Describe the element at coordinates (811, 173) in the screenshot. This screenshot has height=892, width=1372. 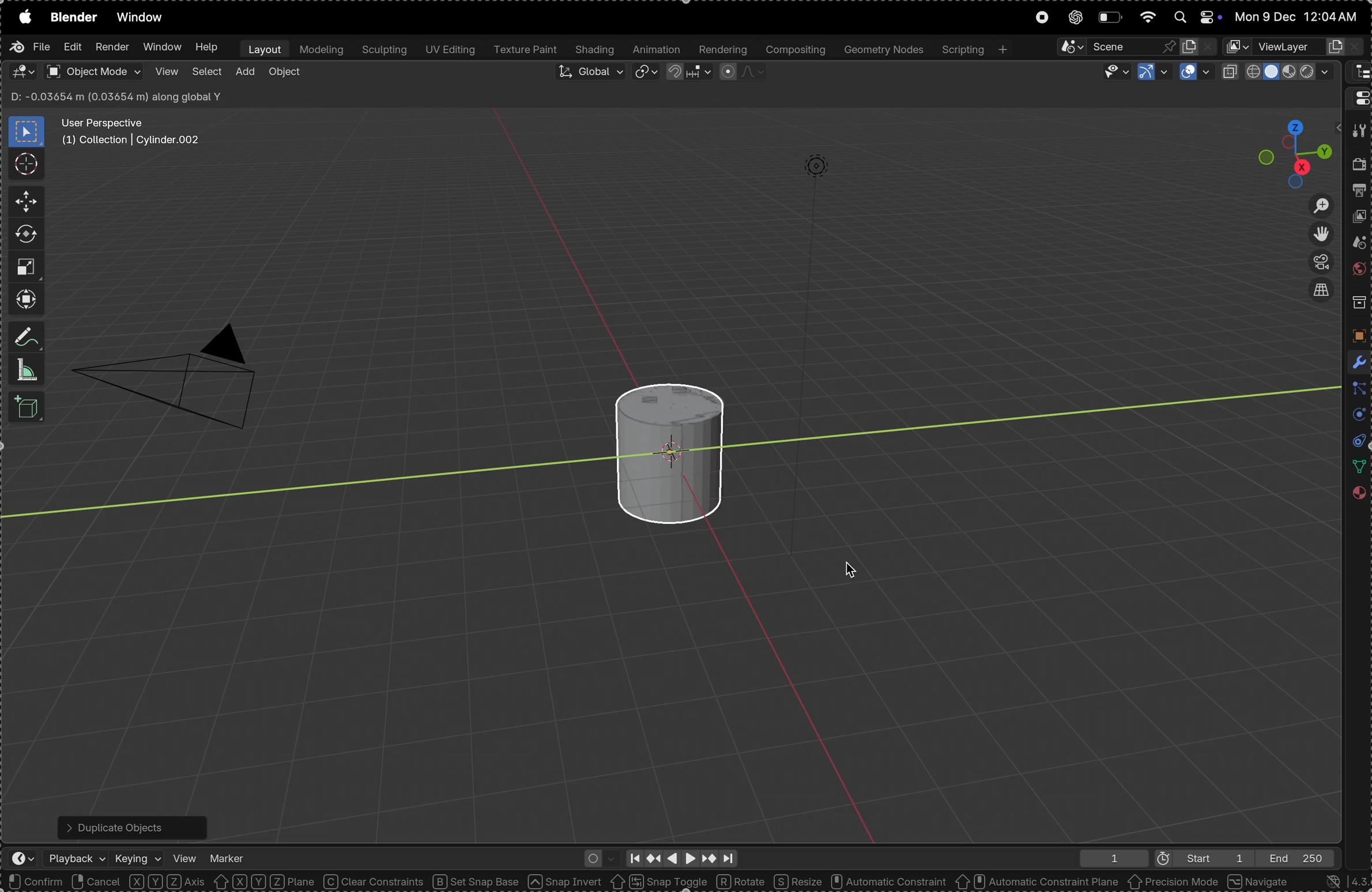
I see `lights` at that location.